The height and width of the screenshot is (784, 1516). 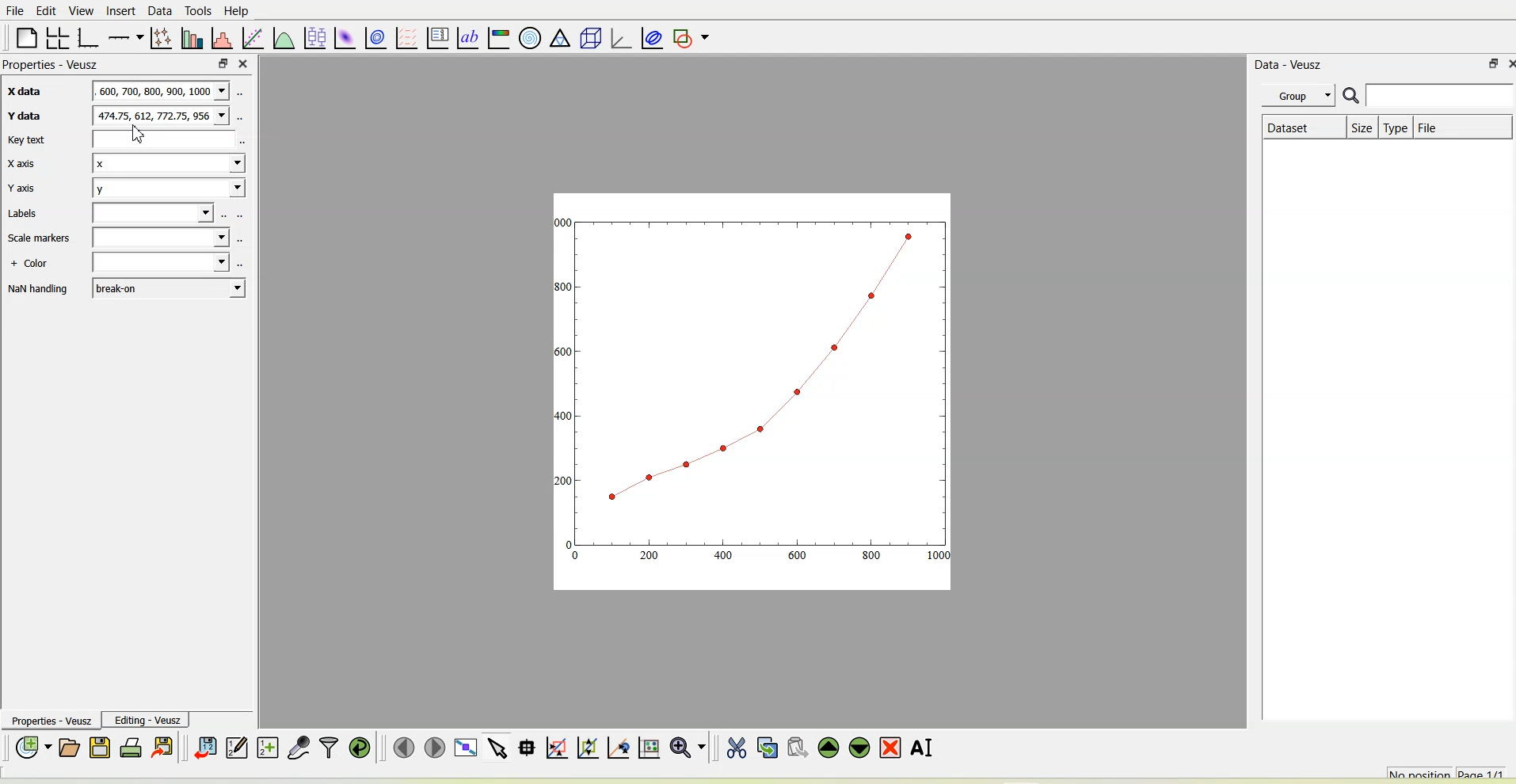 I want to click on New document, so click(x=32, y=748).